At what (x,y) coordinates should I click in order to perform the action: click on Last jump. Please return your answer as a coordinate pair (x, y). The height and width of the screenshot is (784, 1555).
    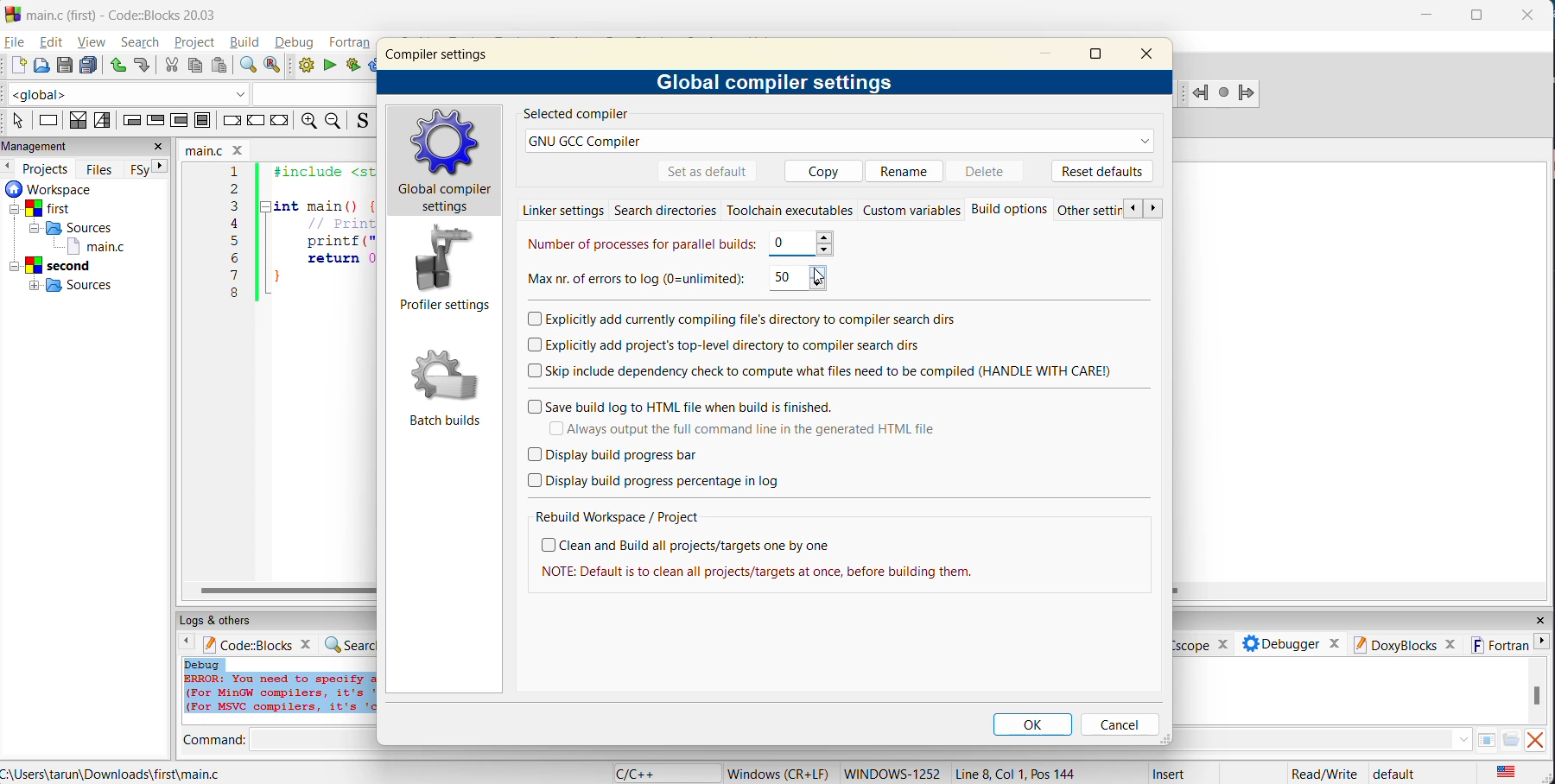
    Looking at the image, I should click on (1222, 93).